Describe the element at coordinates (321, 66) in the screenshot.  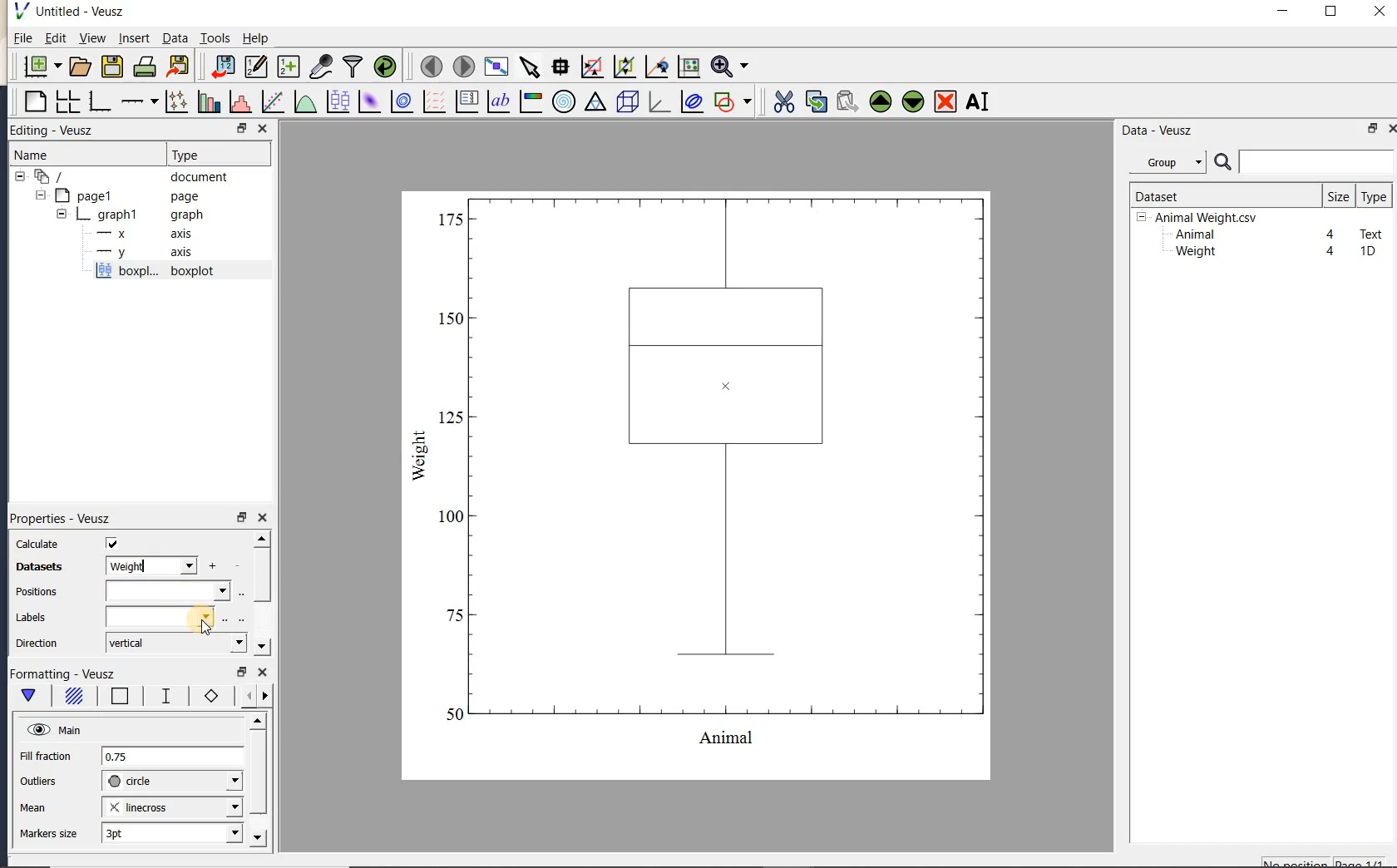
I see `capture remote data` at that location.